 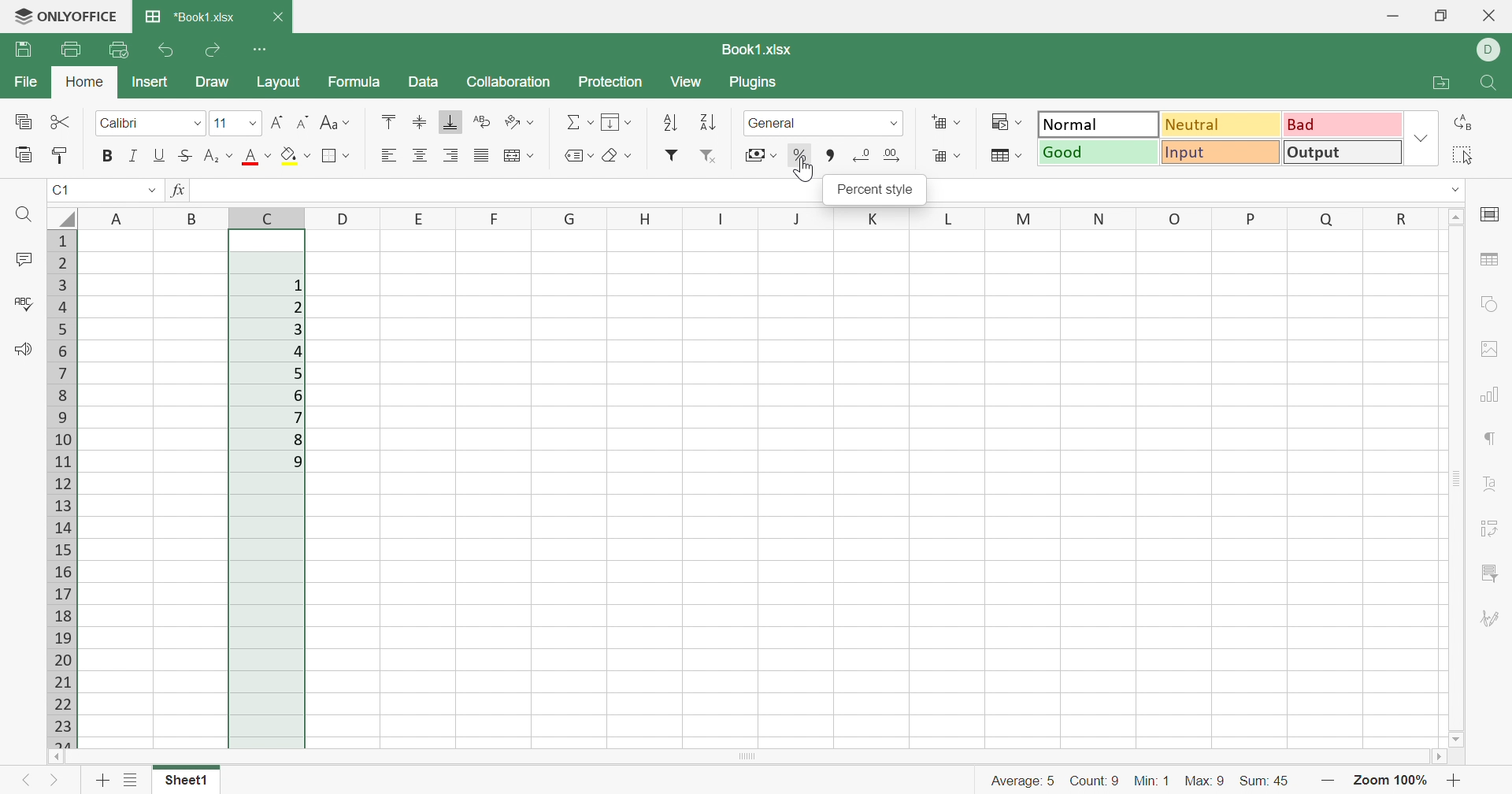 I want to click on Delete cells, so click(x=946, y=157).